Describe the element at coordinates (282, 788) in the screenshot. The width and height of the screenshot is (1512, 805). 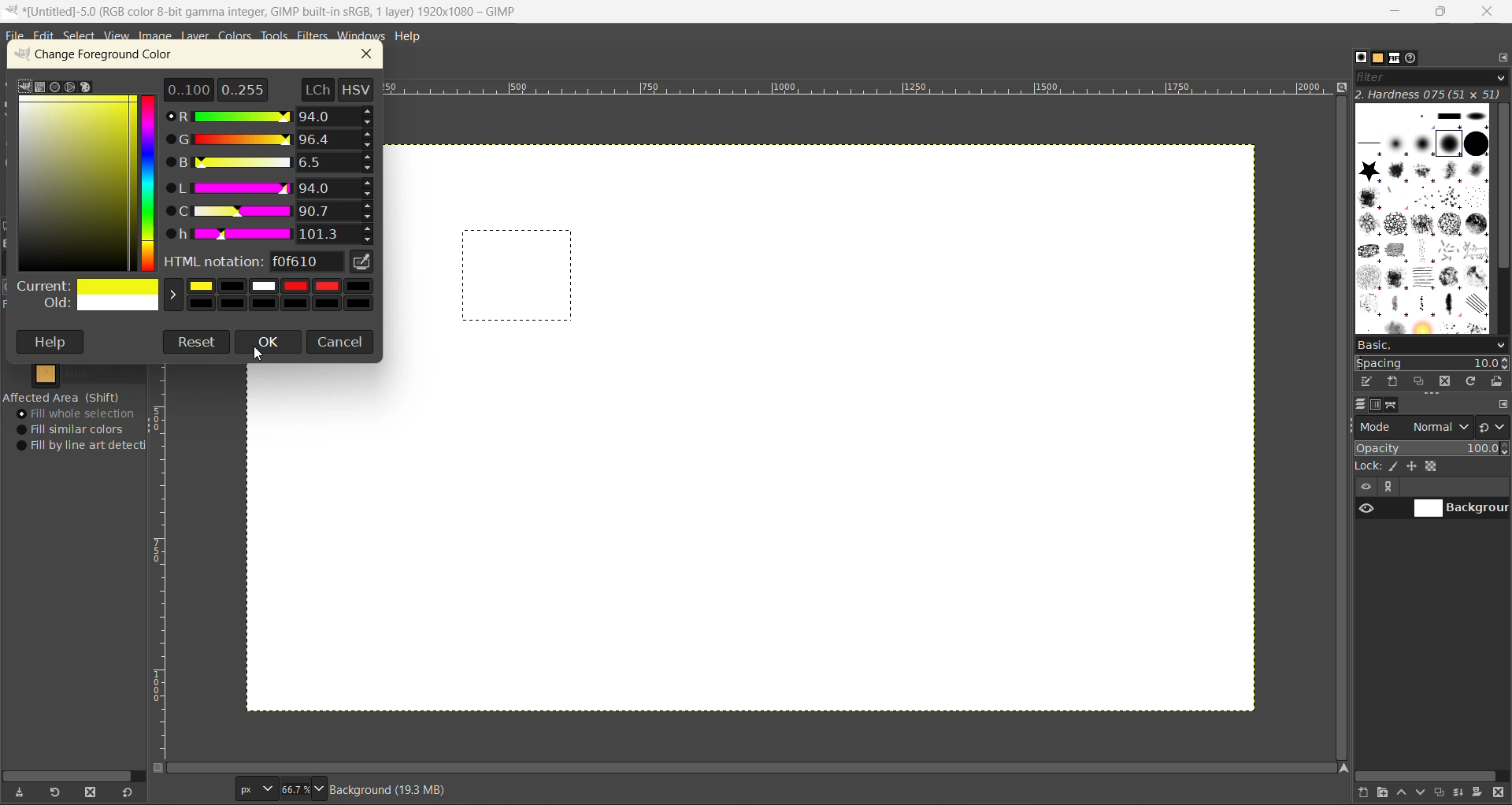
I see `font size` at that location.